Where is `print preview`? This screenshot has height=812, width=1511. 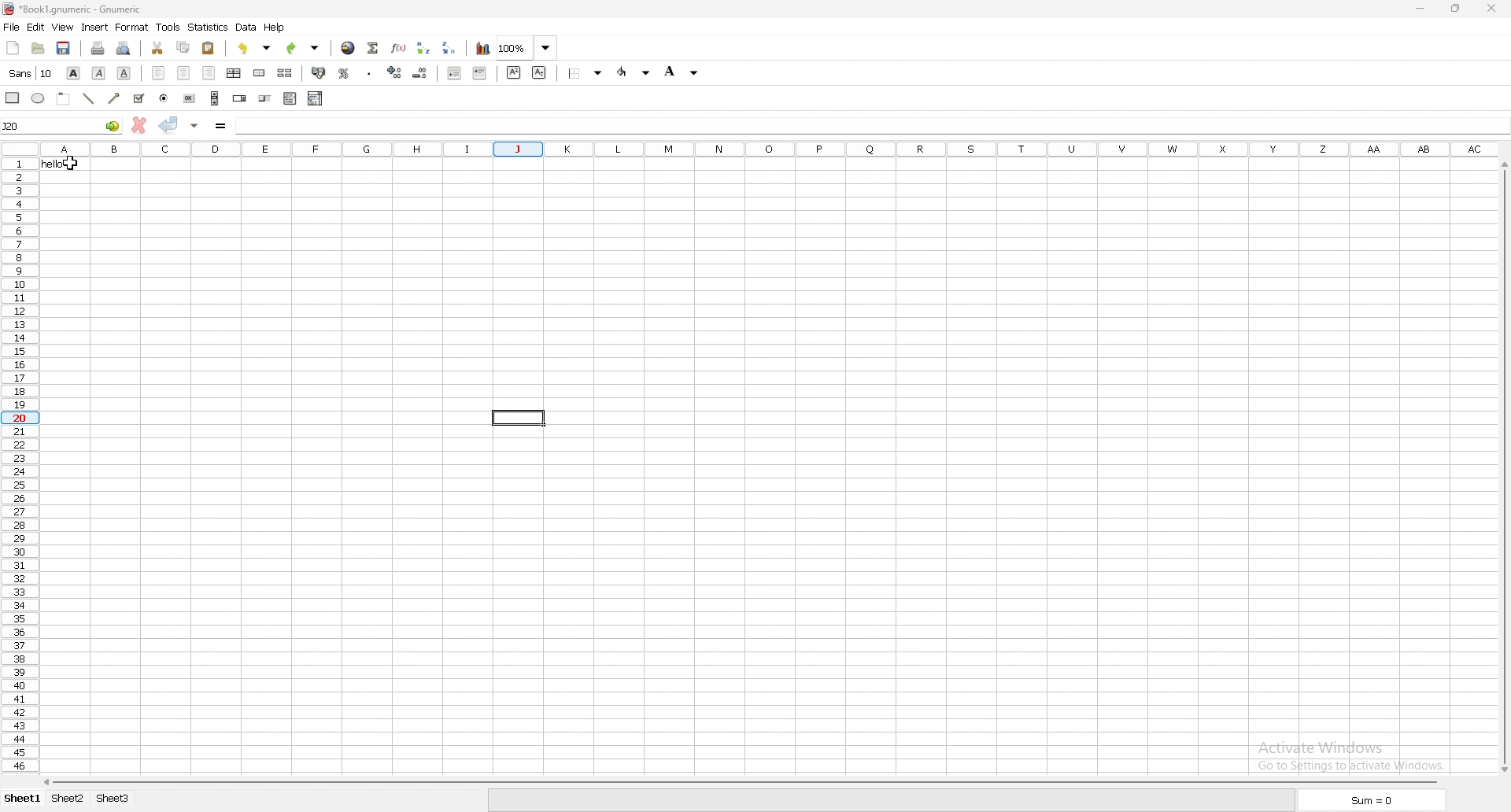 print preview is located at coordinates (125, 48).